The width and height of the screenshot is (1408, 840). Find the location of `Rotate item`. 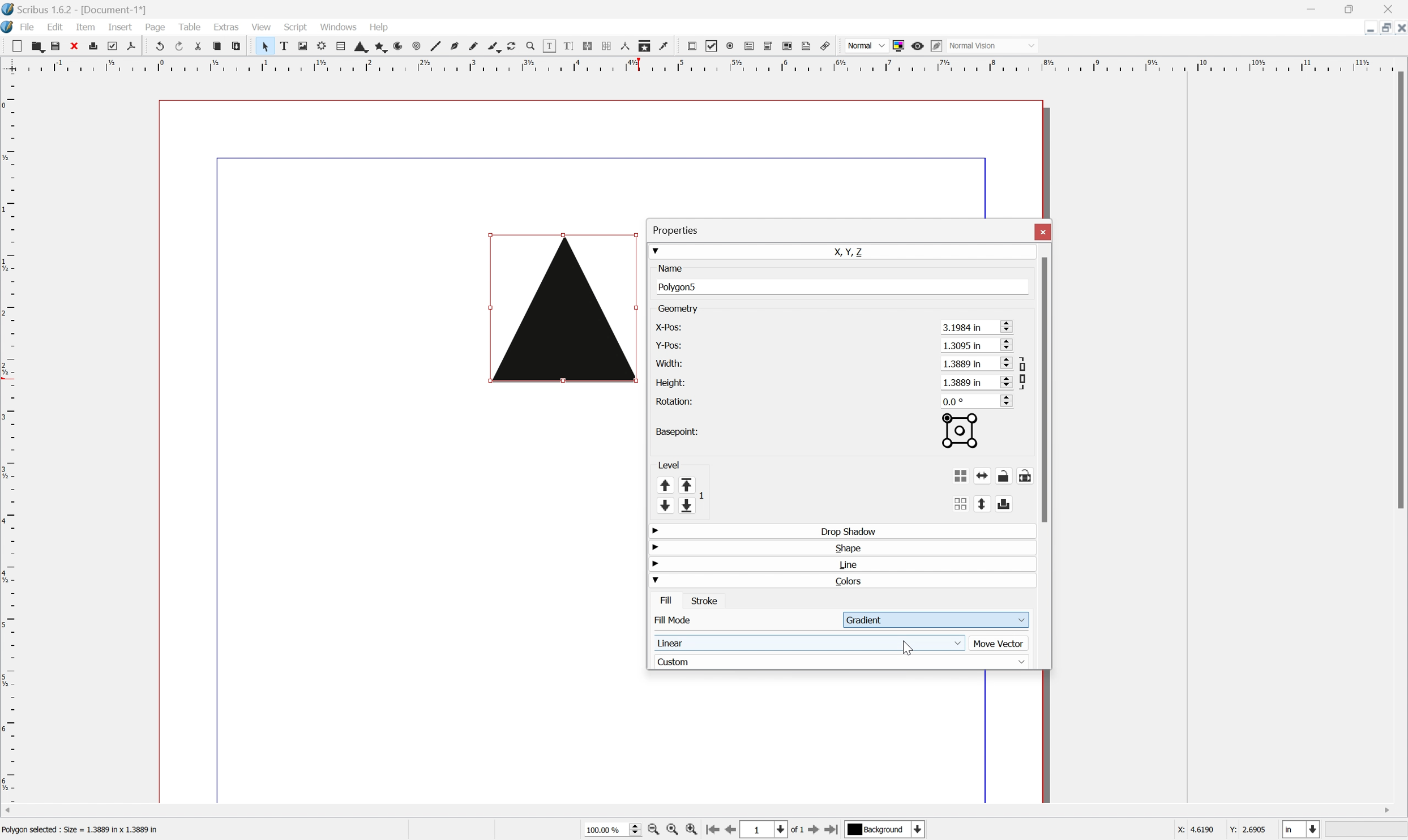

Rotate item is located at coordinates (515, 46).